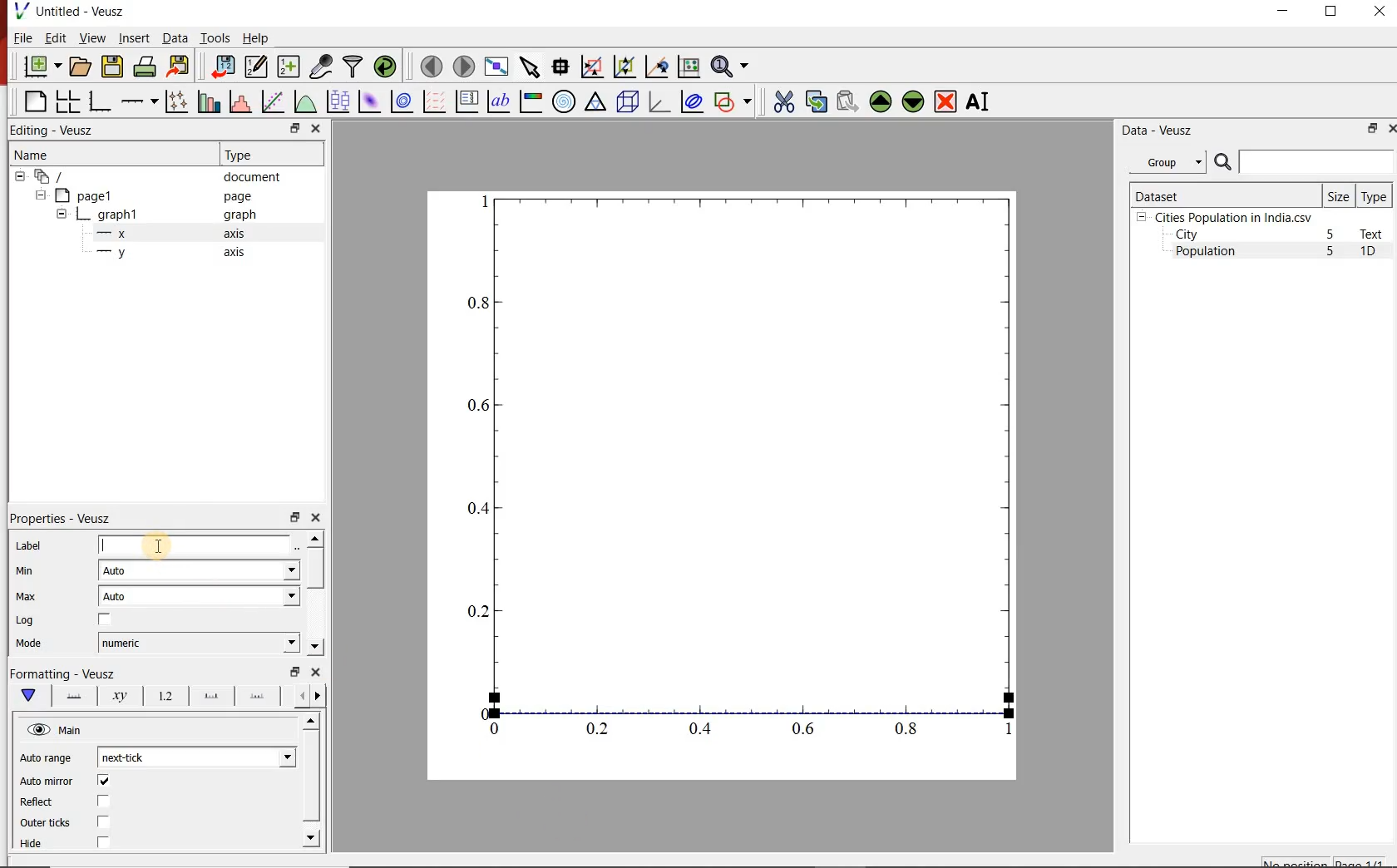 This screenshot has height=868, width=1397. I want to click on Group datasets with property given, so click(1167, 161).